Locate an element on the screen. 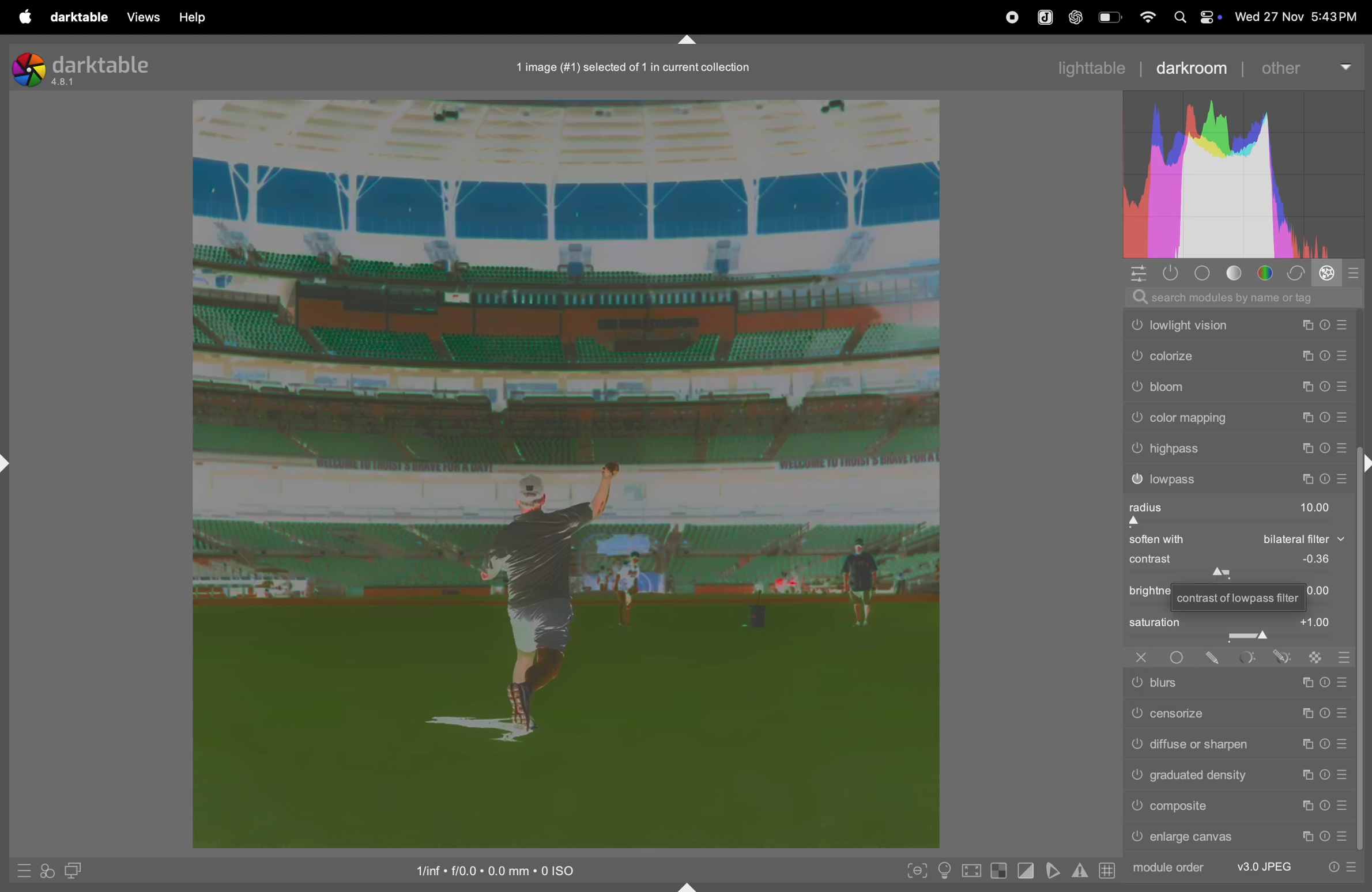 The height and width of the screenshot is (892, 1372). darkroom is located at coordinates (1190, 67).